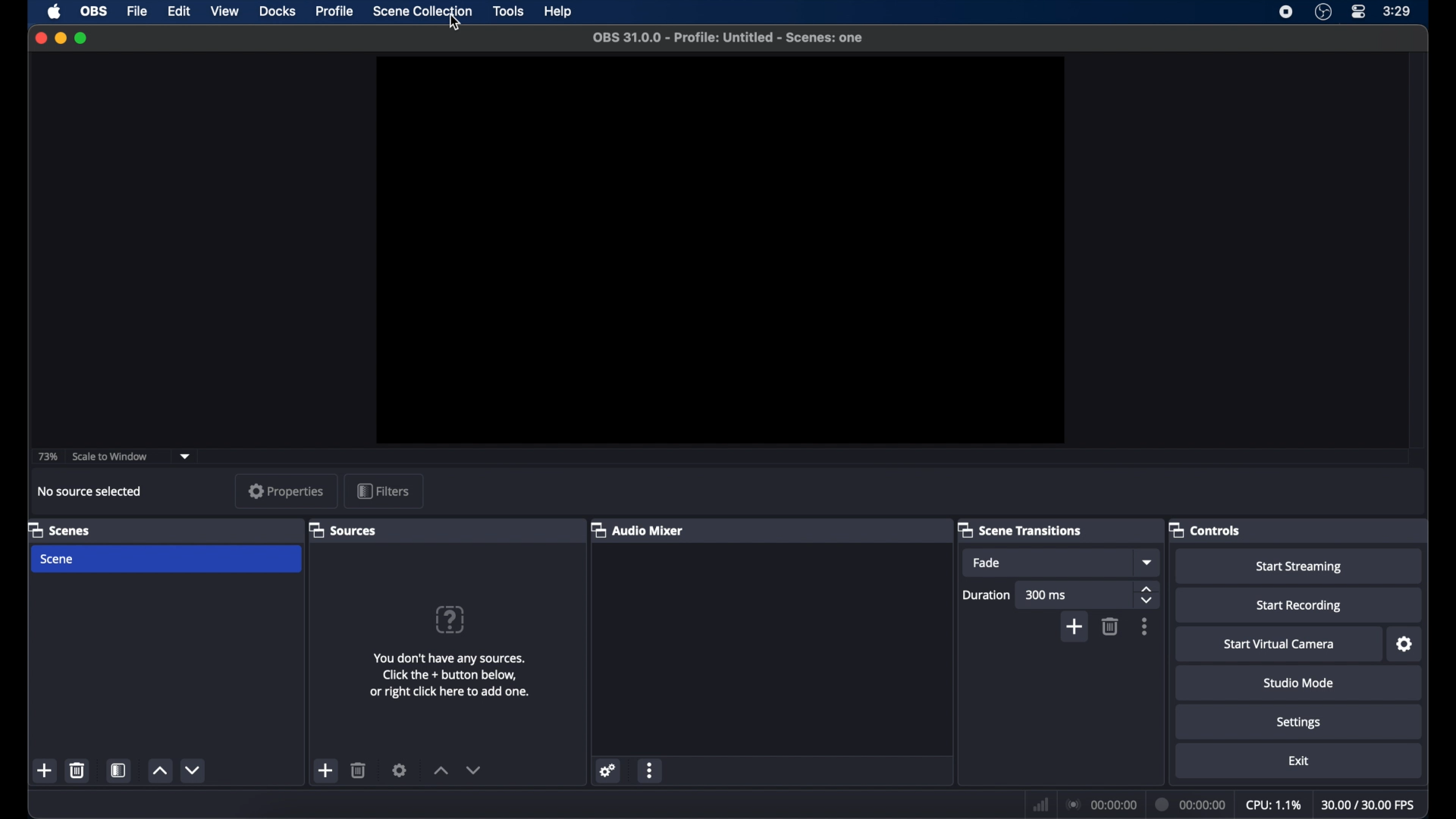  What do you see at coordinates (510, 11) in the screenshot?
I see `tools` at bounding box center [510, 11].